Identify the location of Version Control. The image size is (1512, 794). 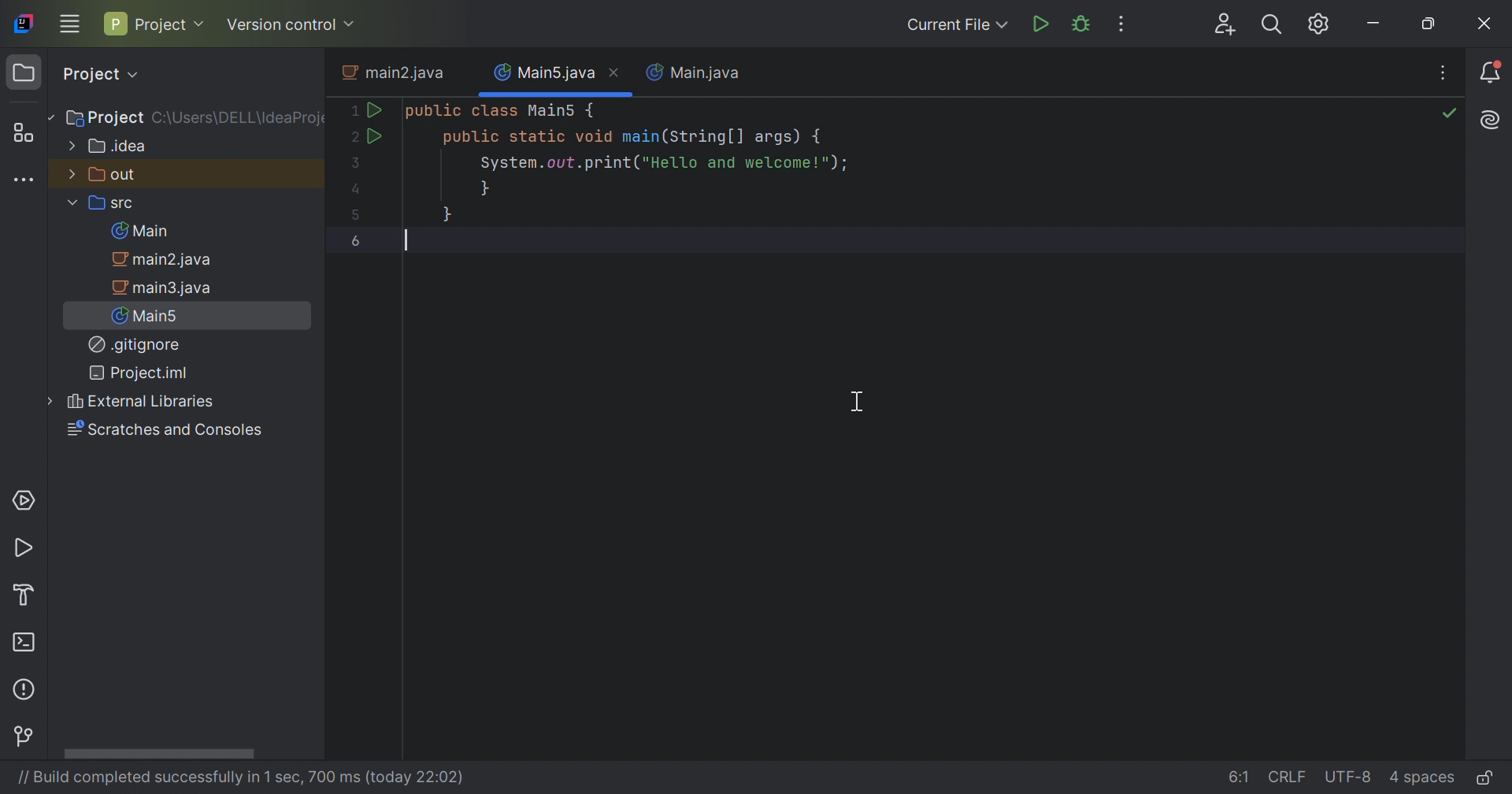
(26, 738).